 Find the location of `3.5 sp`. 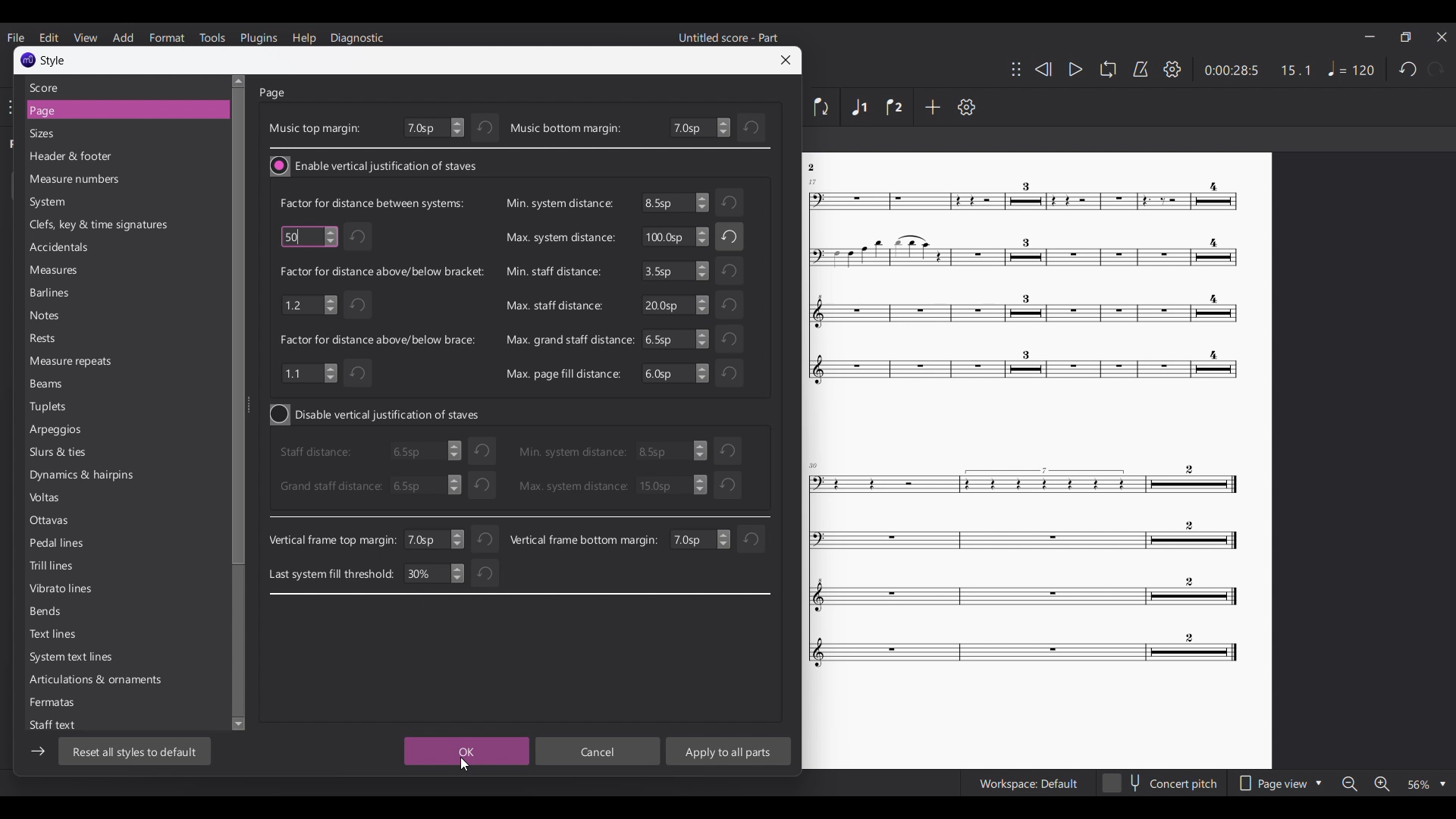

3.5 sp is located at coordinates (674, 452).